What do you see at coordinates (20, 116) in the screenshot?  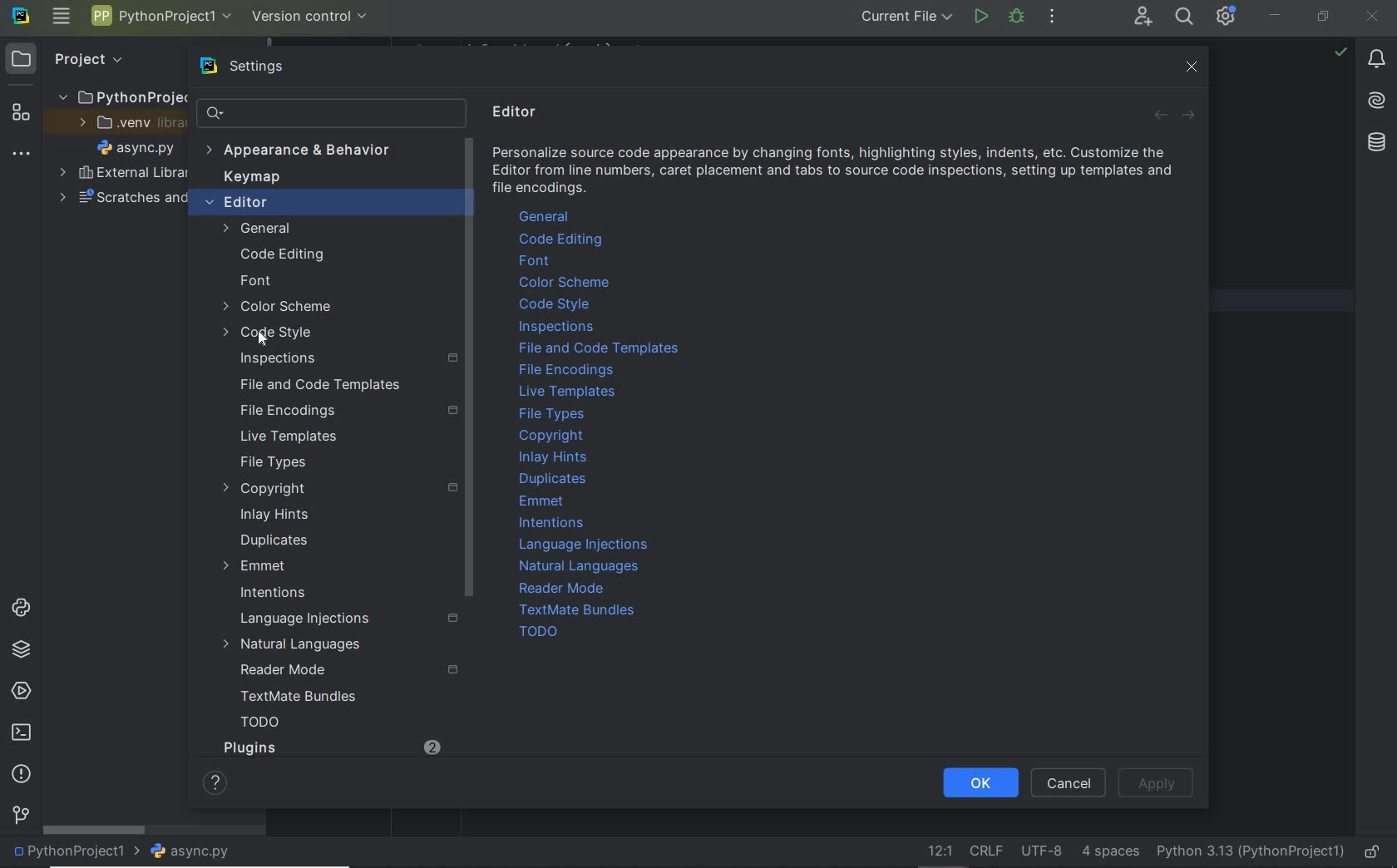 I see `structure` at bounding box center [20, 116].